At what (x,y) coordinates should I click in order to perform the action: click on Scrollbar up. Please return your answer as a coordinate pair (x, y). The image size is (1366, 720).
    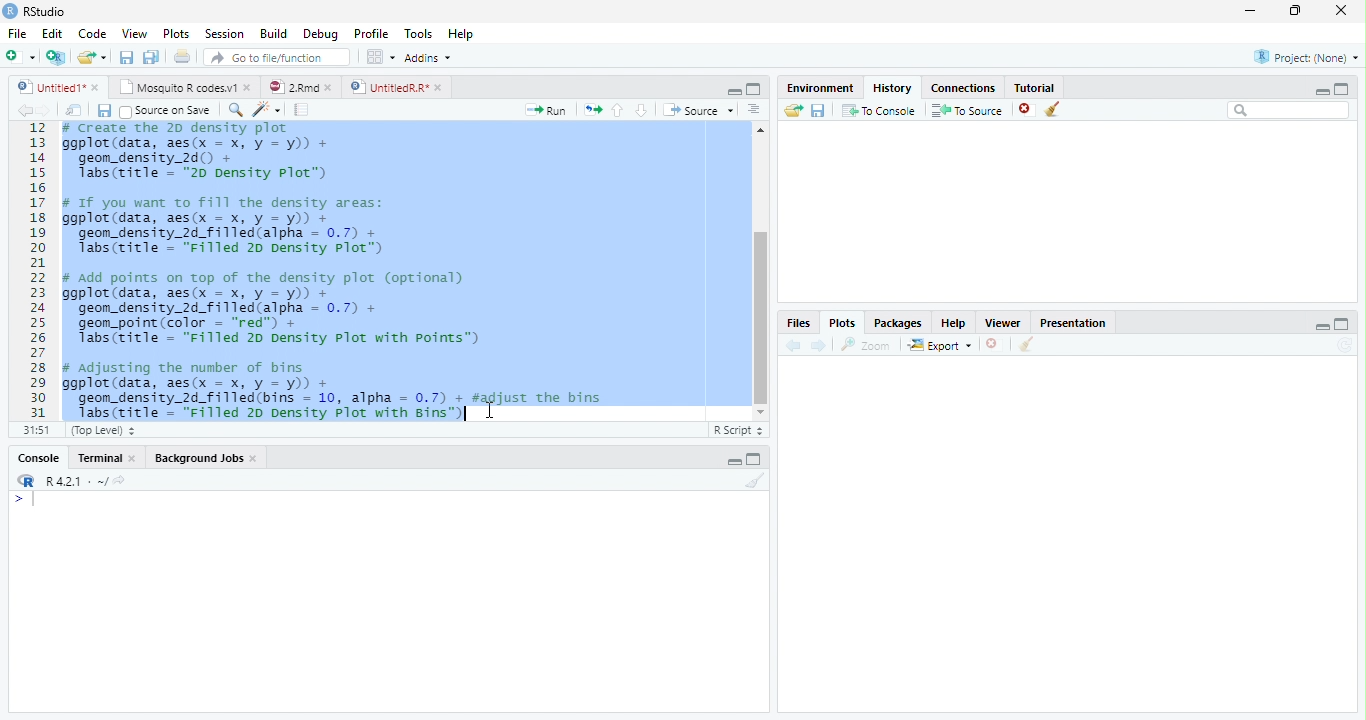
    Looking at the image, I should click on (758, 130).